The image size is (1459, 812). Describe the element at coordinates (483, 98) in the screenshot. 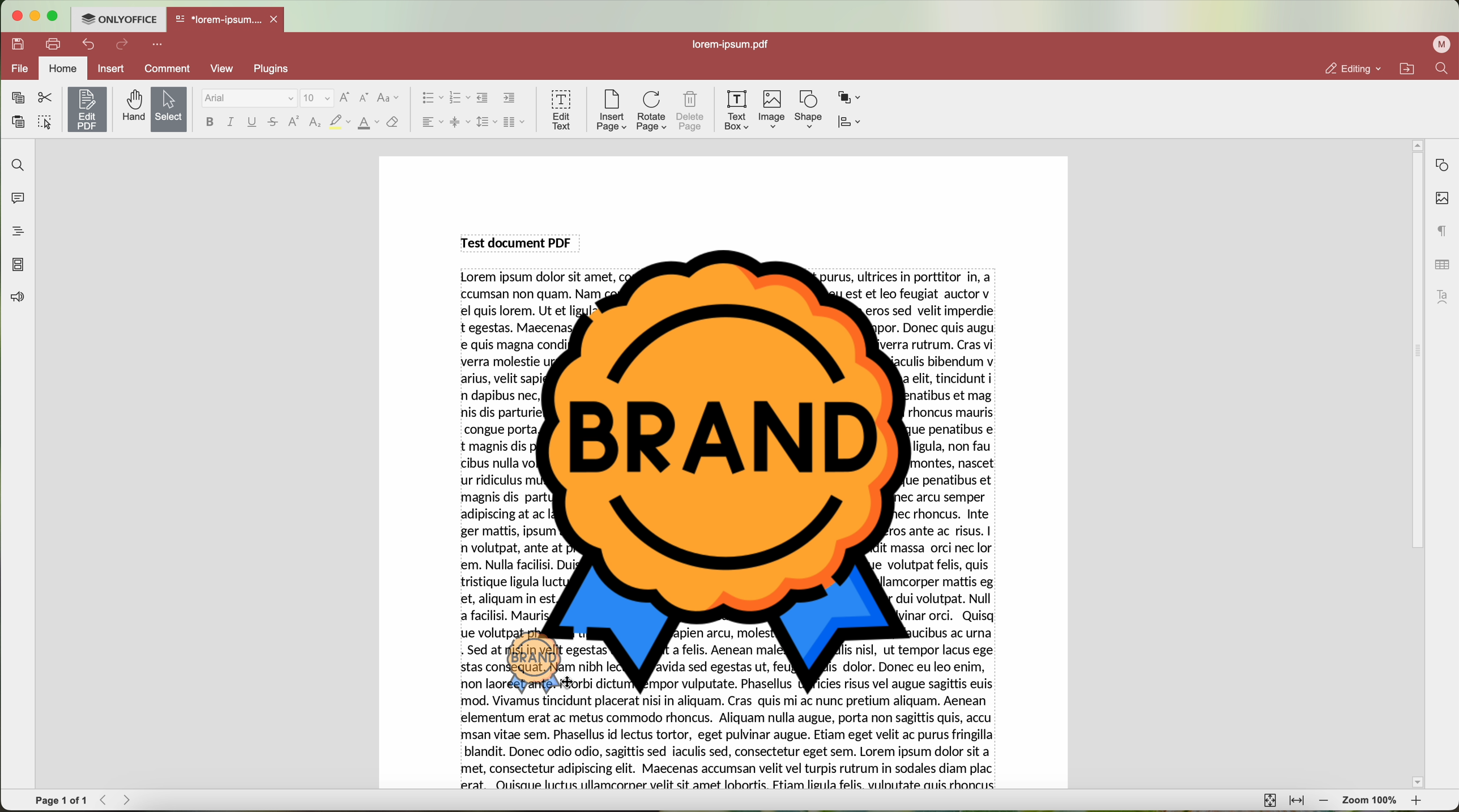

I see `decrease indent` at that location.